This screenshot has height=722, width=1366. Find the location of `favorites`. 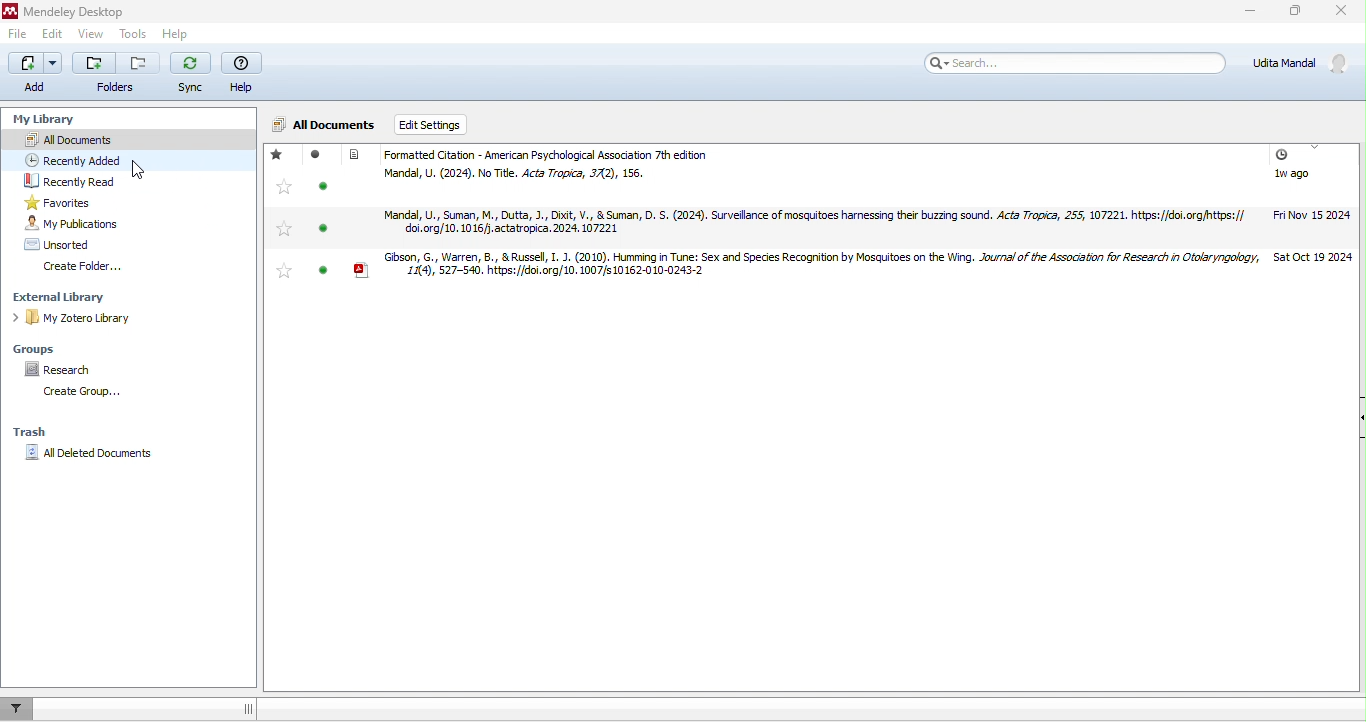

favorites is located at coordinates (277, 155).